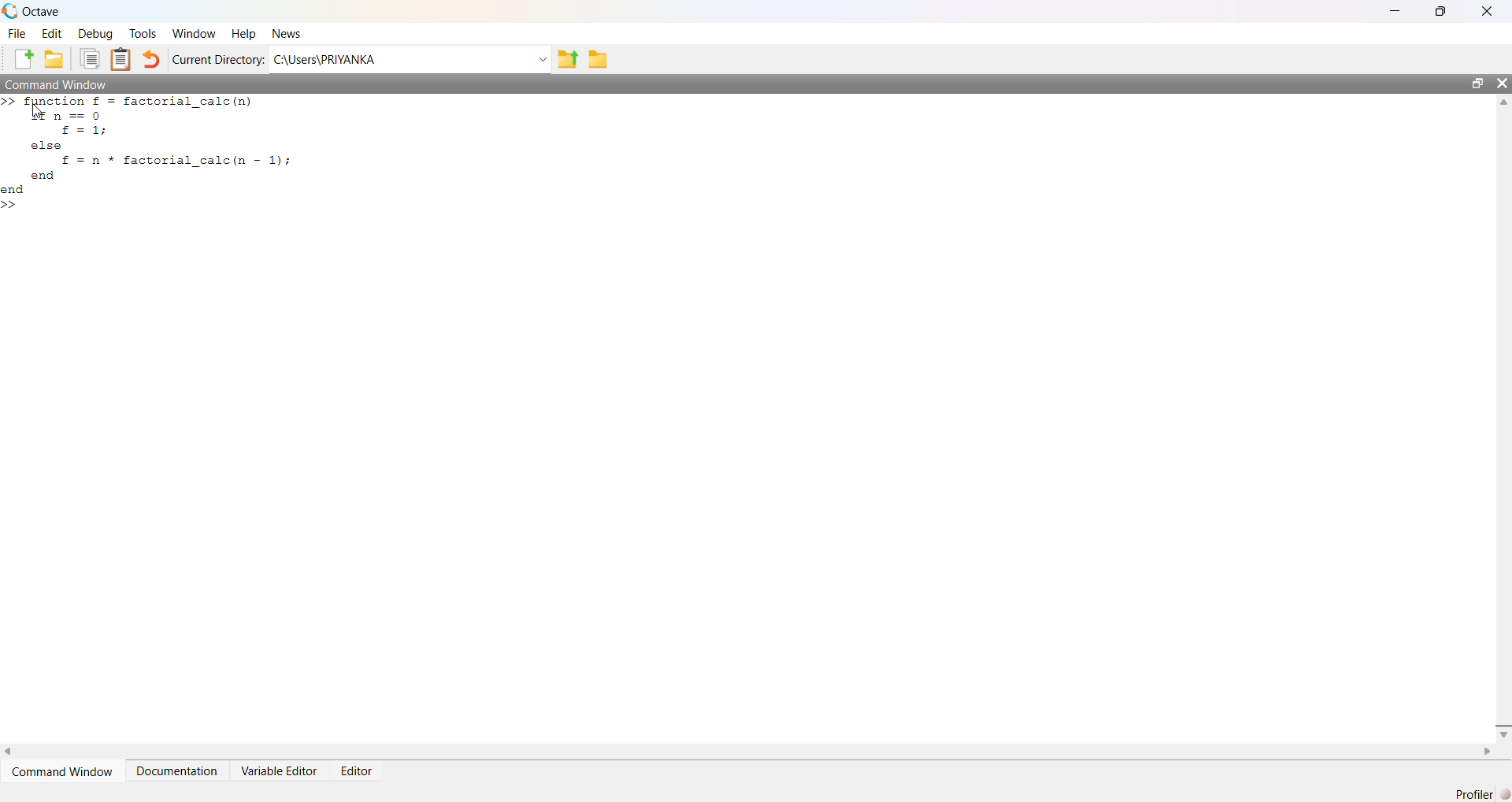 The height and width of the screenshot is (802, 1512). What do you see at coordinates (94, 34) in the screenshot?
I see `debug` at bounding box center [94, 34].